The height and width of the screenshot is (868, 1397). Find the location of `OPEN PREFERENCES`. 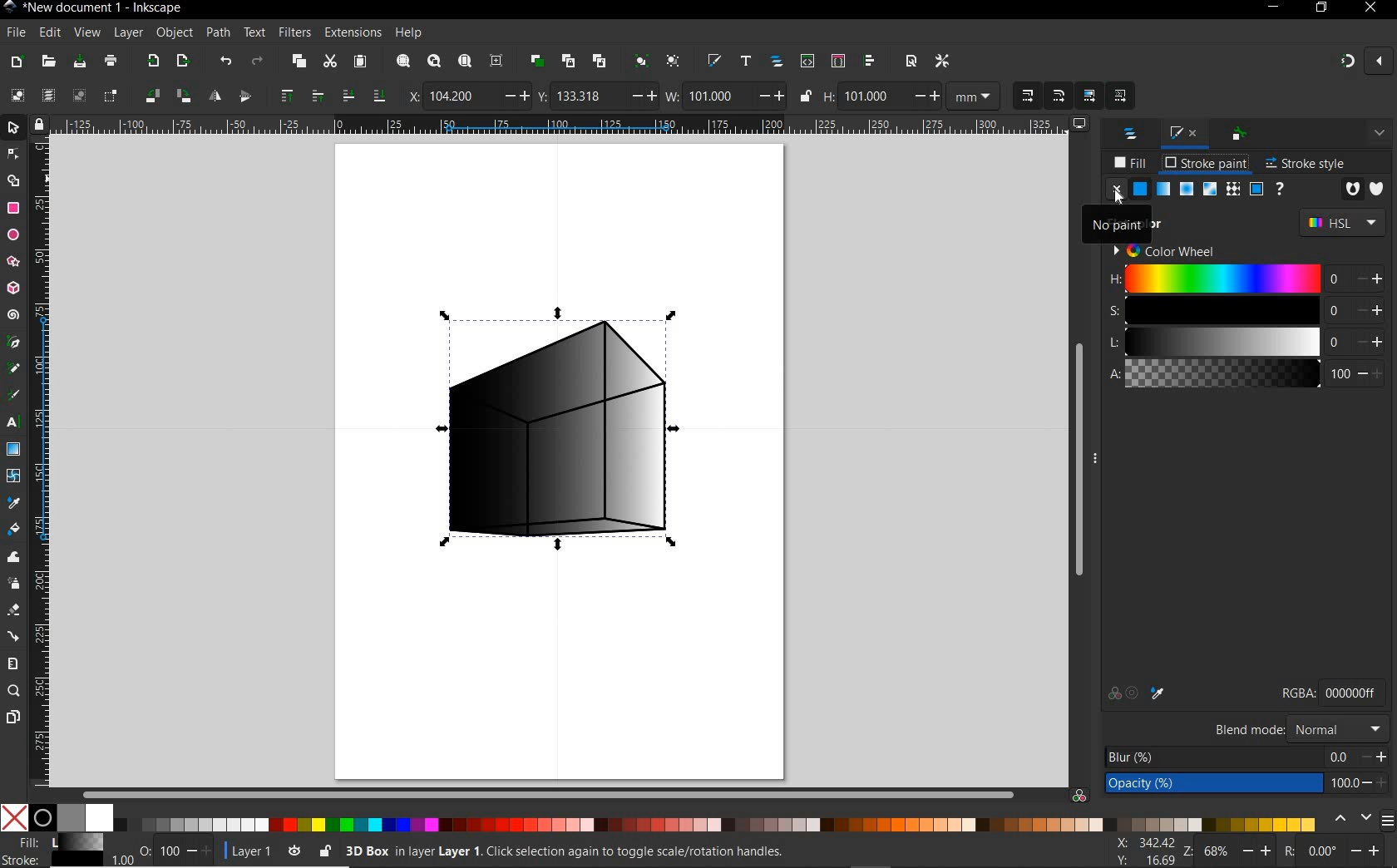

OPEN PREFERENCES is located at coordinates (943, 59).